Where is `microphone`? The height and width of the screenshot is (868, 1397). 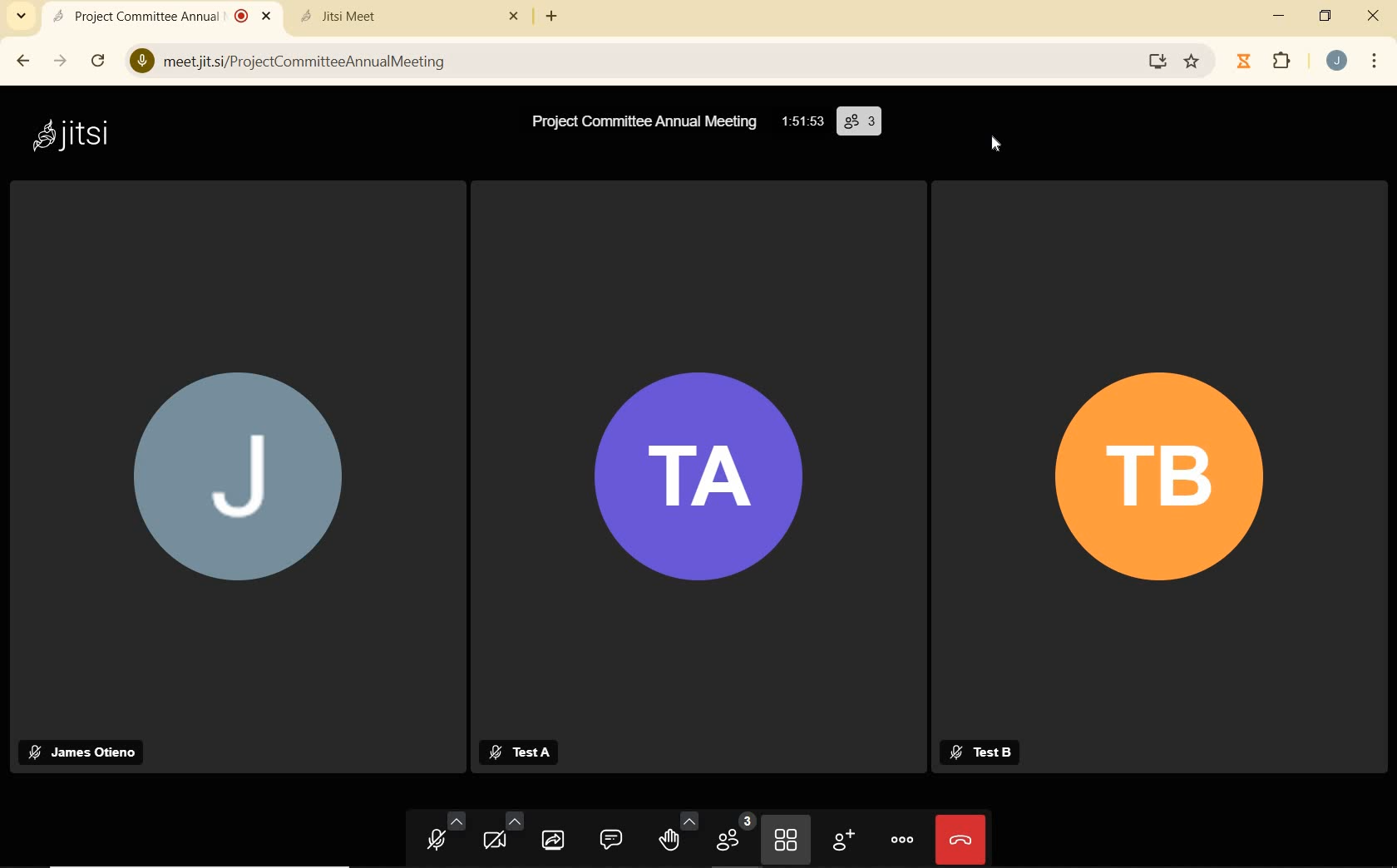
microphone is located at coordinates (435, 834).